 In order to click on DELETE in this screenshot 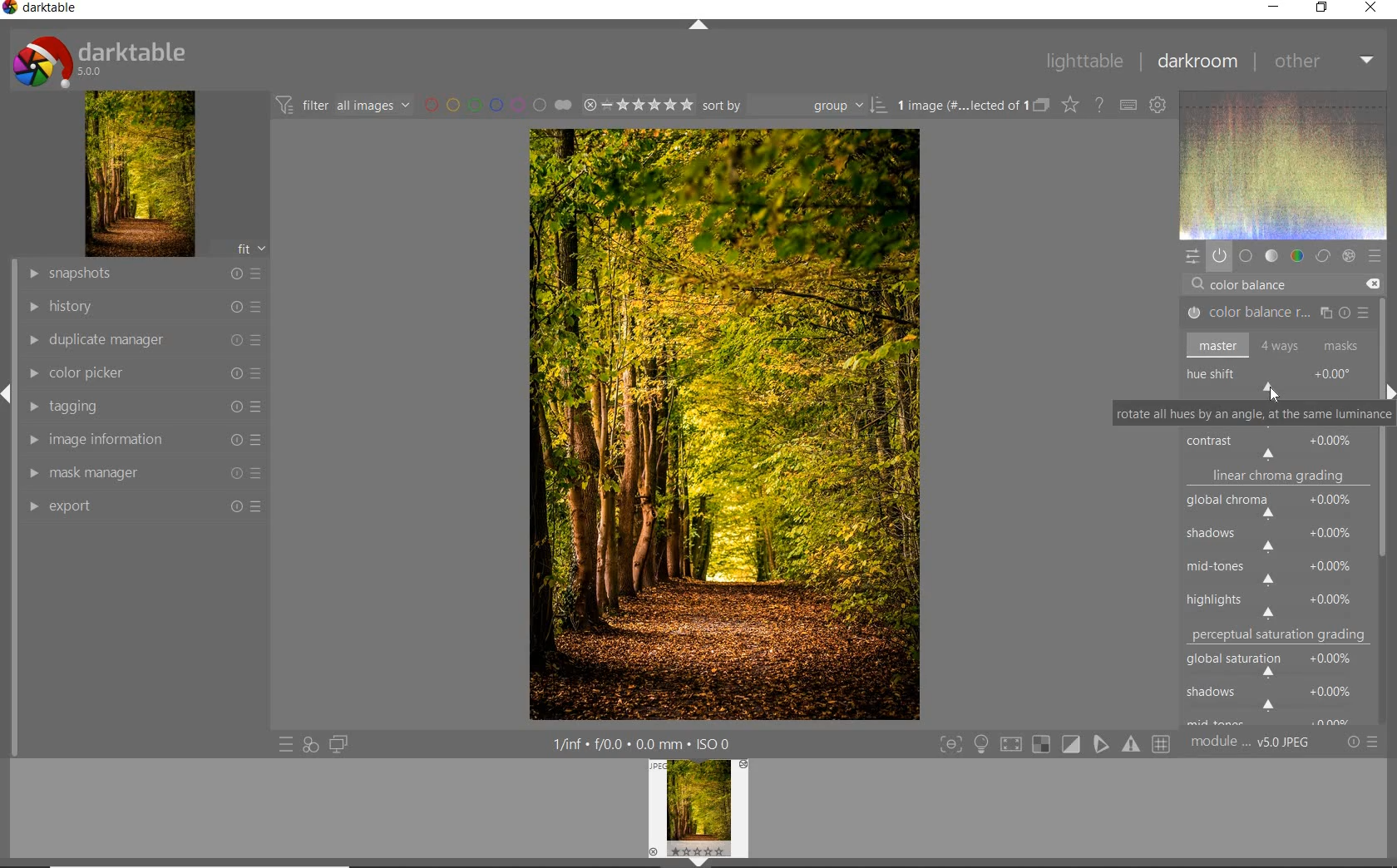, I will do `click(1372, 284)`.